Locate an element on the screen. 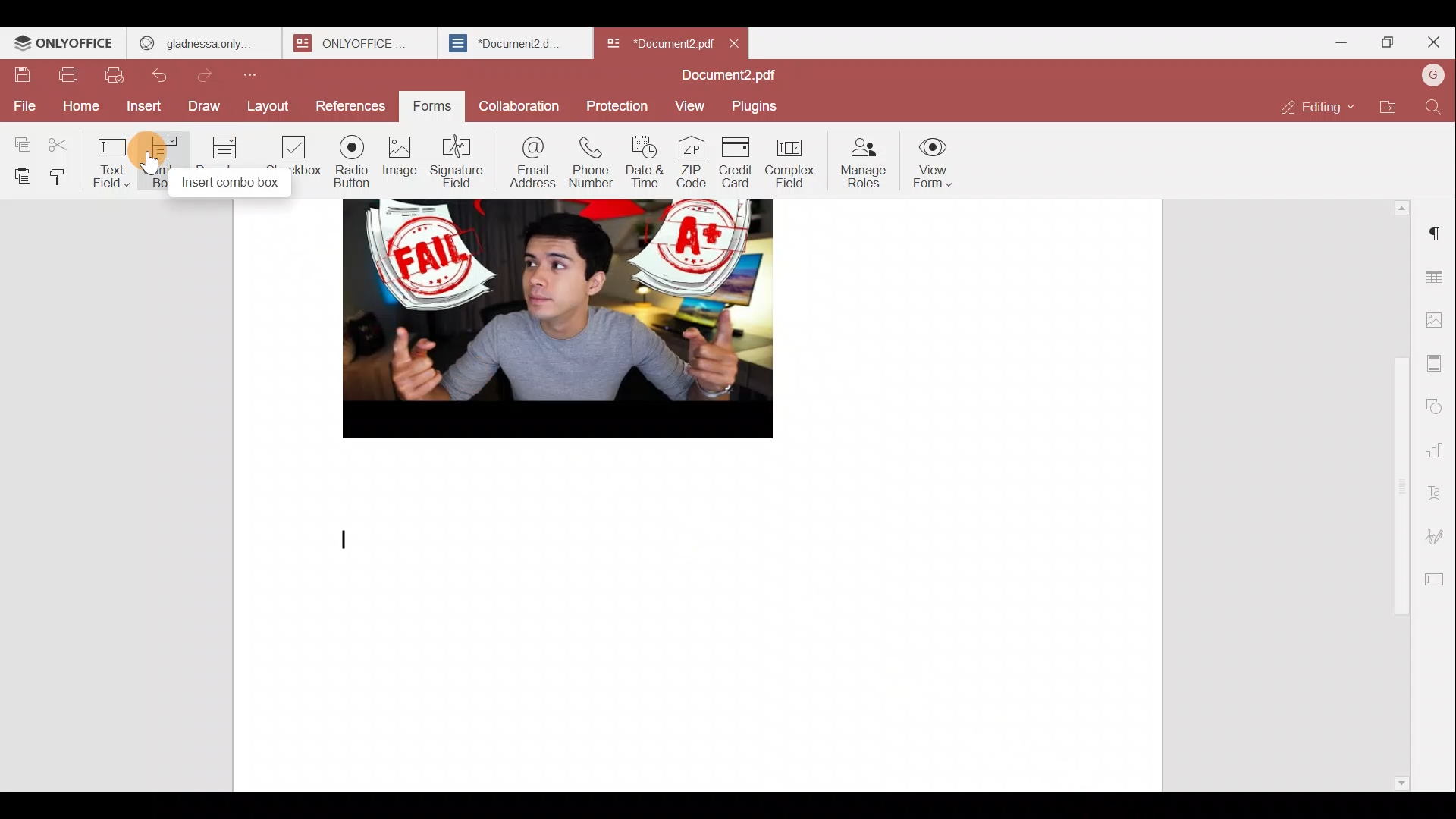 The image size is (1456, 819). Undo is located at coordinates (164, 75).